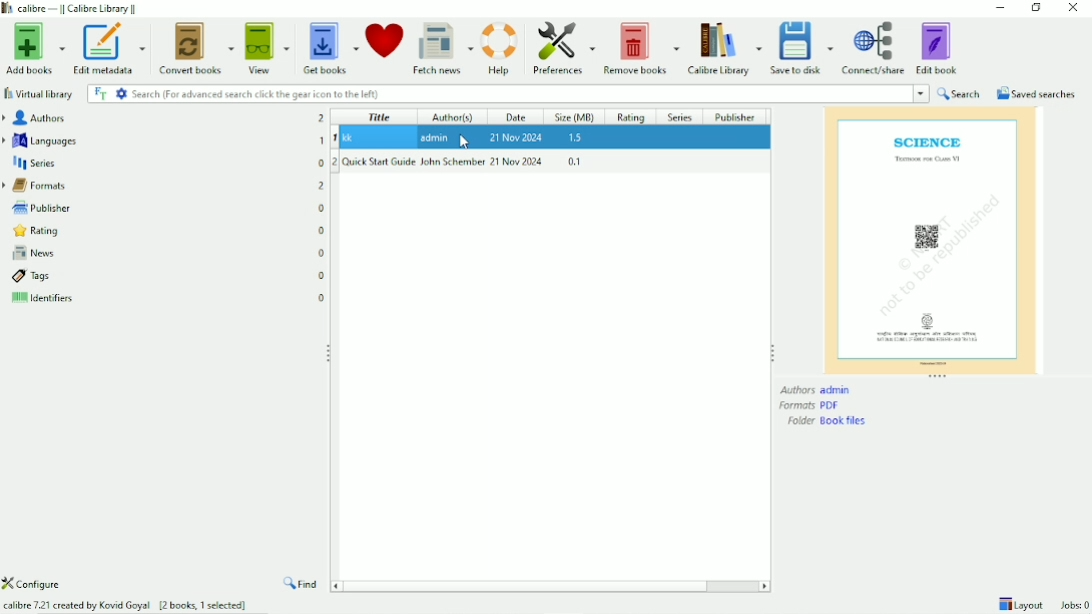 This screenshot has height=614, width=1092. Describe the element at coordinates (163, 164) in the screenshot. I see `Series` at that location.